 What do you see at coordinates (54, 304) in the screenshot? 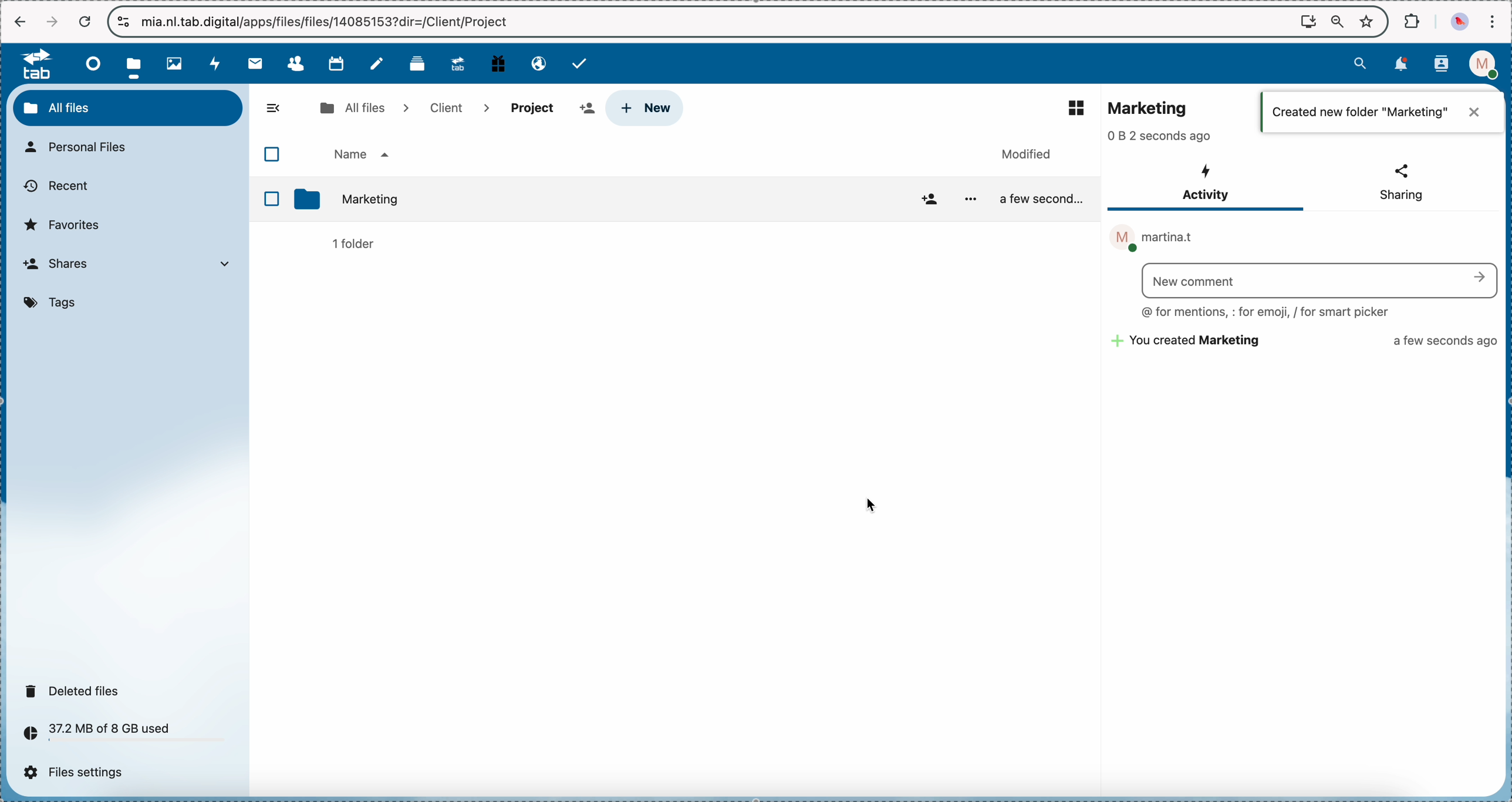
I see `tags` at bounding box center [54, 304].